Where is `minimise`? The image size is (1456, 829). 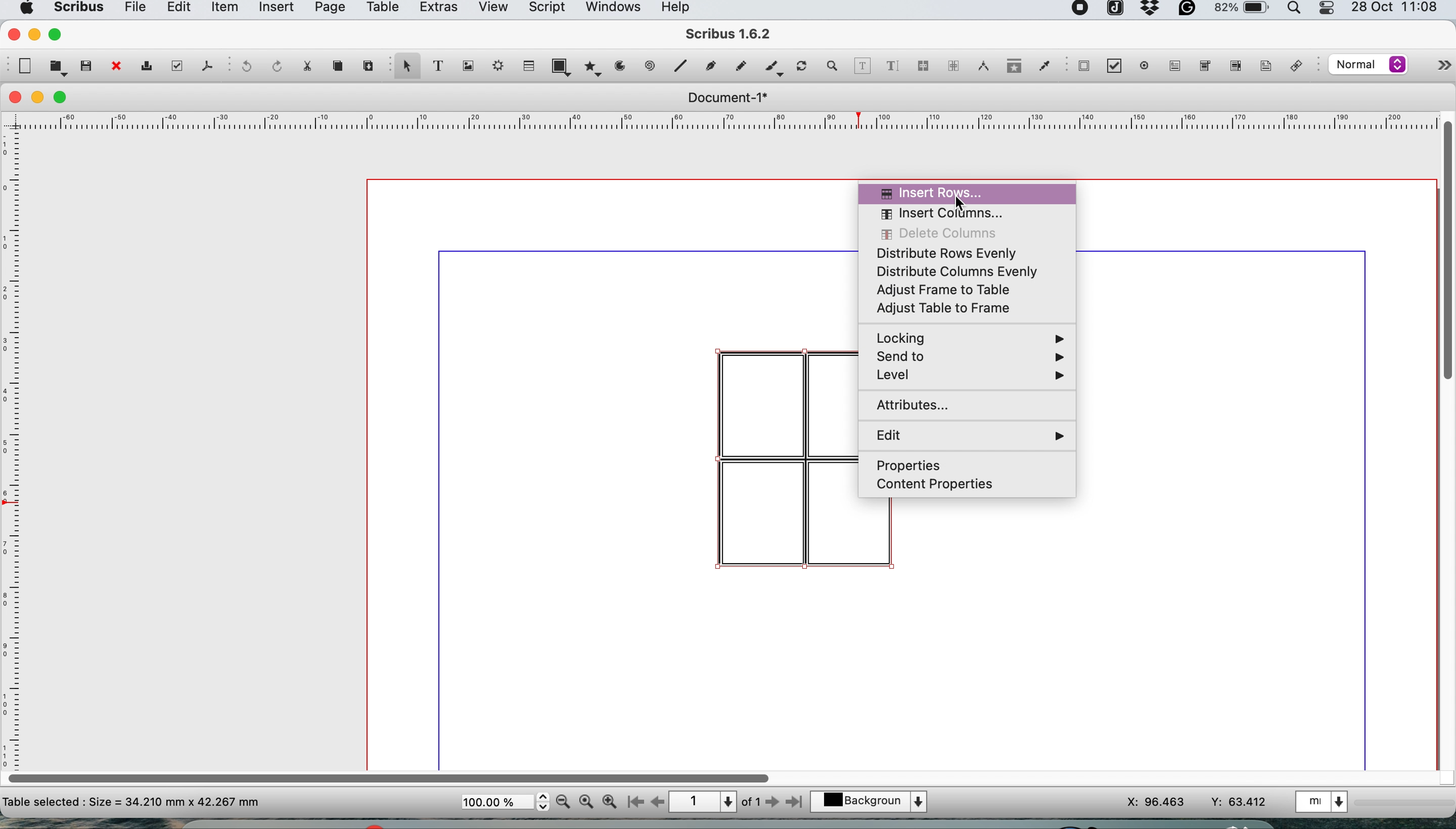
minimise is located at coordinates (39, 98).